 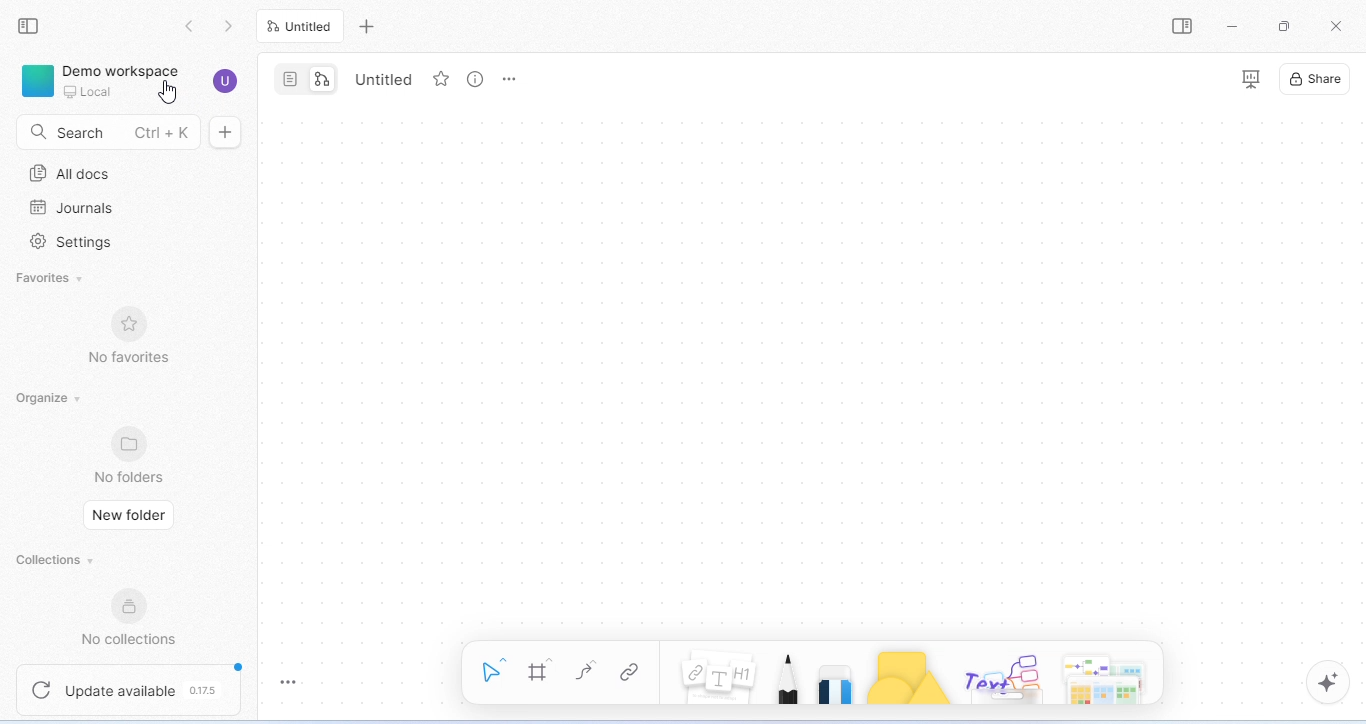 What do you see at coordinates (53, 562) in the screenshot?
I see `collections` at bounding box center [53, 562].